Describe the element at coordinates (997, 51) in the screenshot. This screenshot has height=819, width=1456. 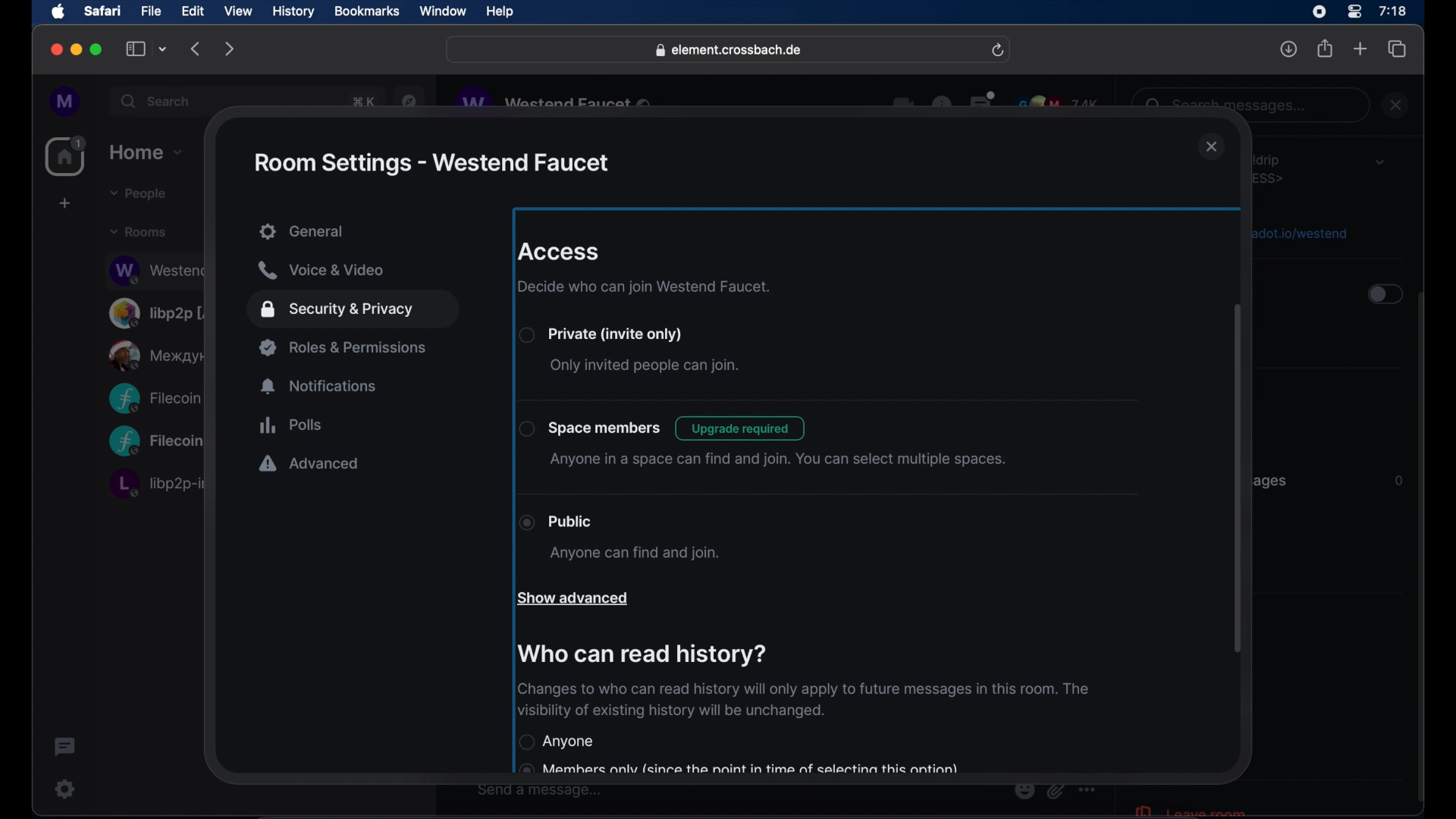
I see `refresh` at that location.